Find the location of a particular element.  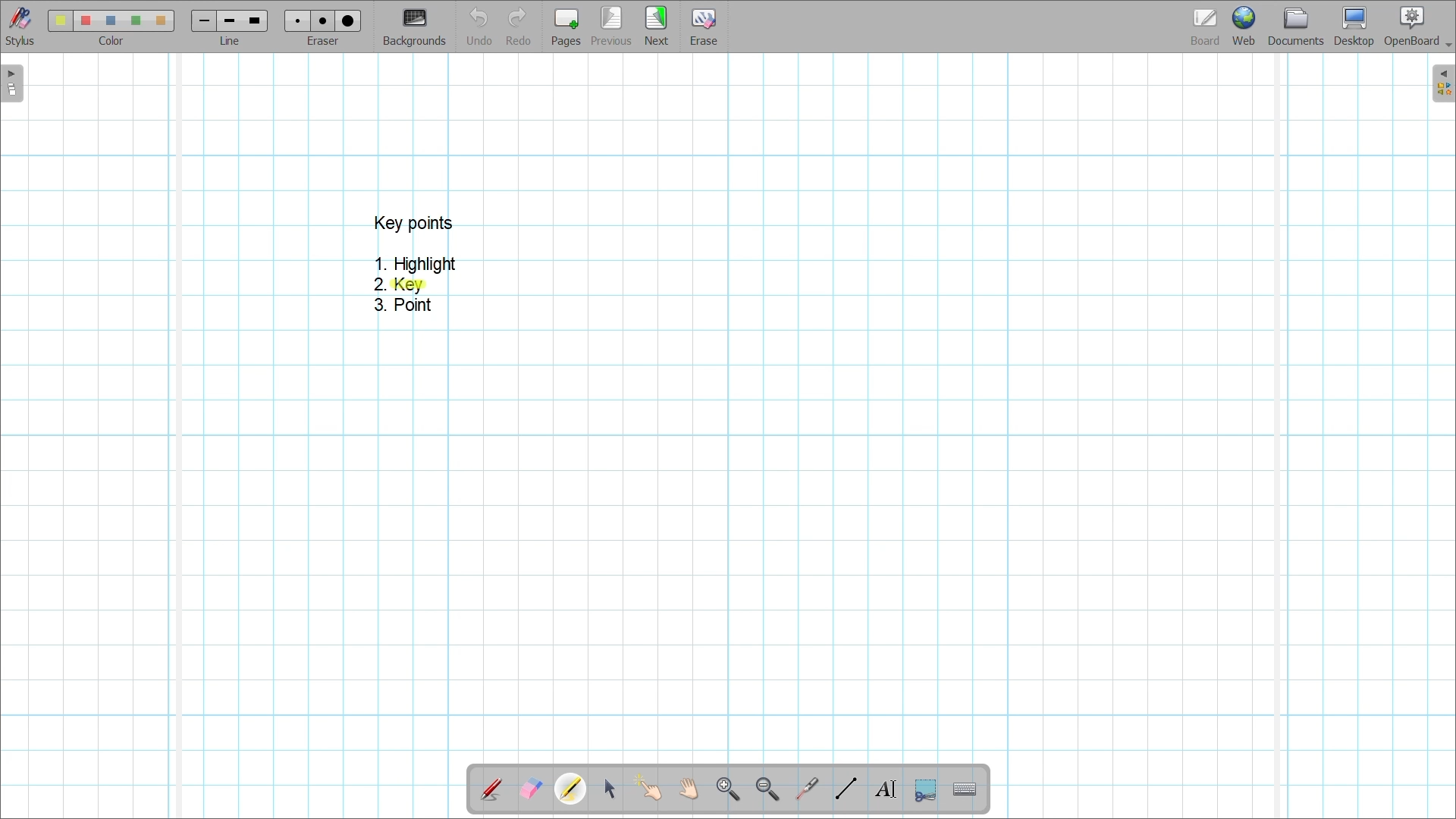

color is located at coordinates (108, 41).